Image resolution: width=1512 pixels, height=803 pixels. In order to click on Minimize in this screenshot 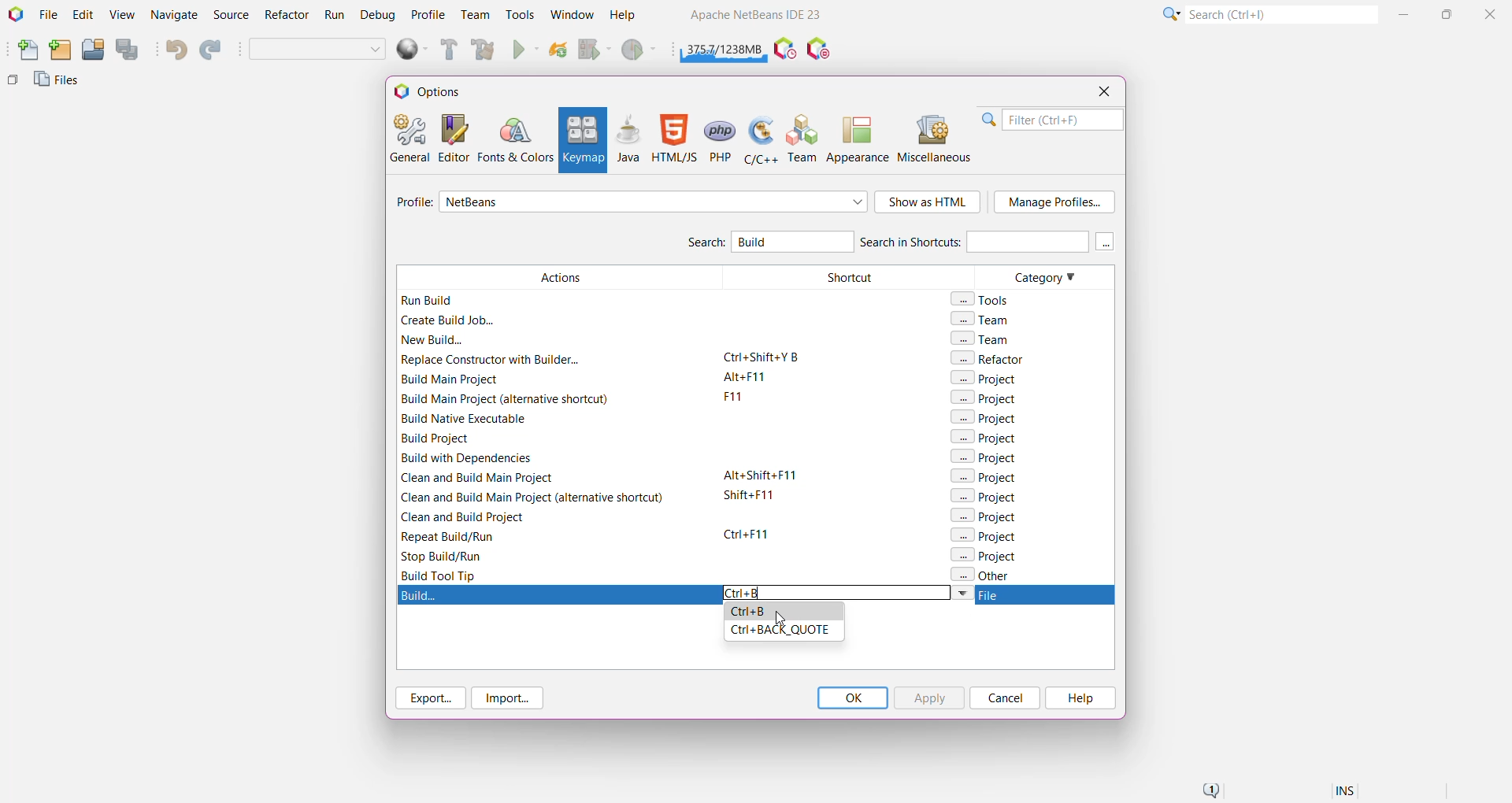, I will do `click(1406, 14)`.